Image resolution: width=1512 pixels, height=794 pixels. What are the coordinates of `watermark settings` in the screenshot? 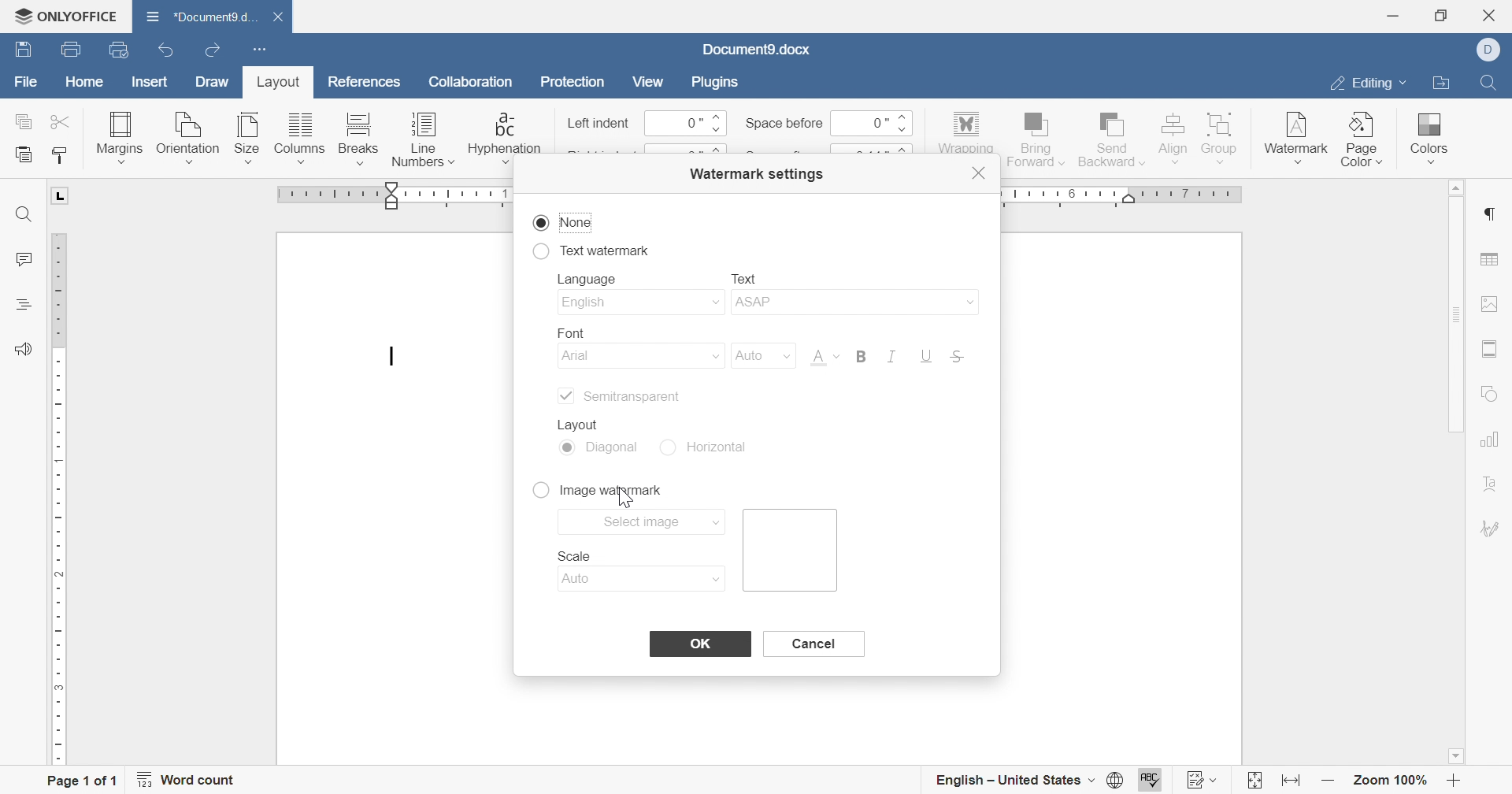 It's located at (754, 173).